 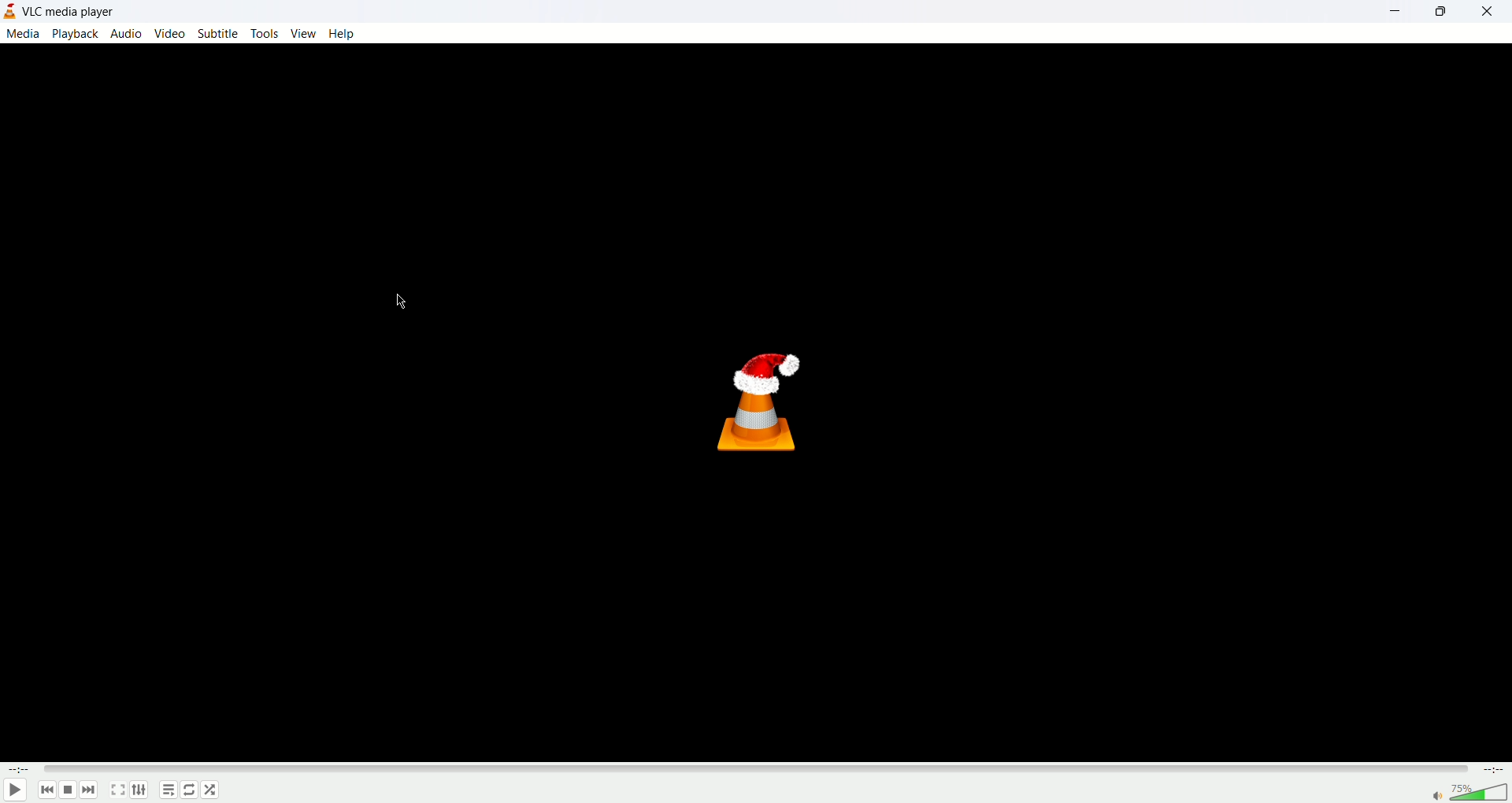 What do you see at coordinates (188, 790) in the screenshot?
I see `toggle loop` at bounding box center [188, 790].